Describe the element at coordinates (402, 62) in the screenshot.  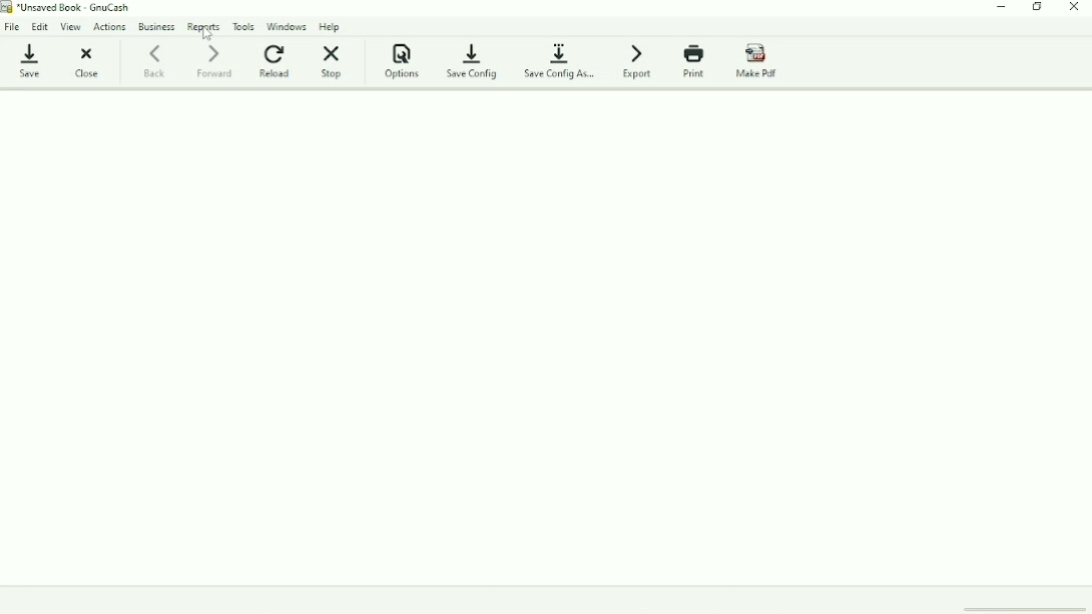
I see `Options` at that location.